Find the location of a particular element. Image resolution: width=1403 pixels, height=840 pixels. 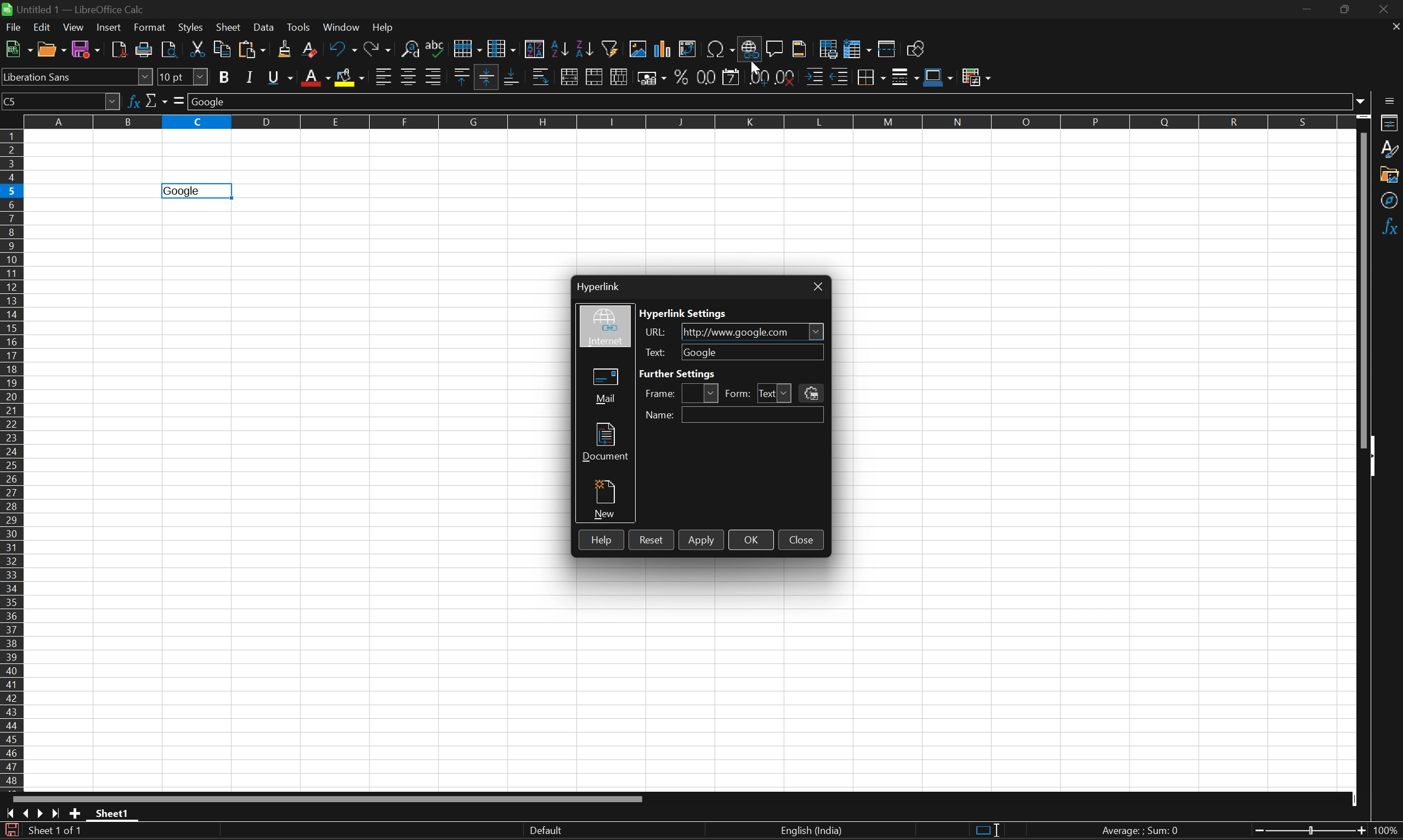

Drop down is located at coordinates (816, 331).